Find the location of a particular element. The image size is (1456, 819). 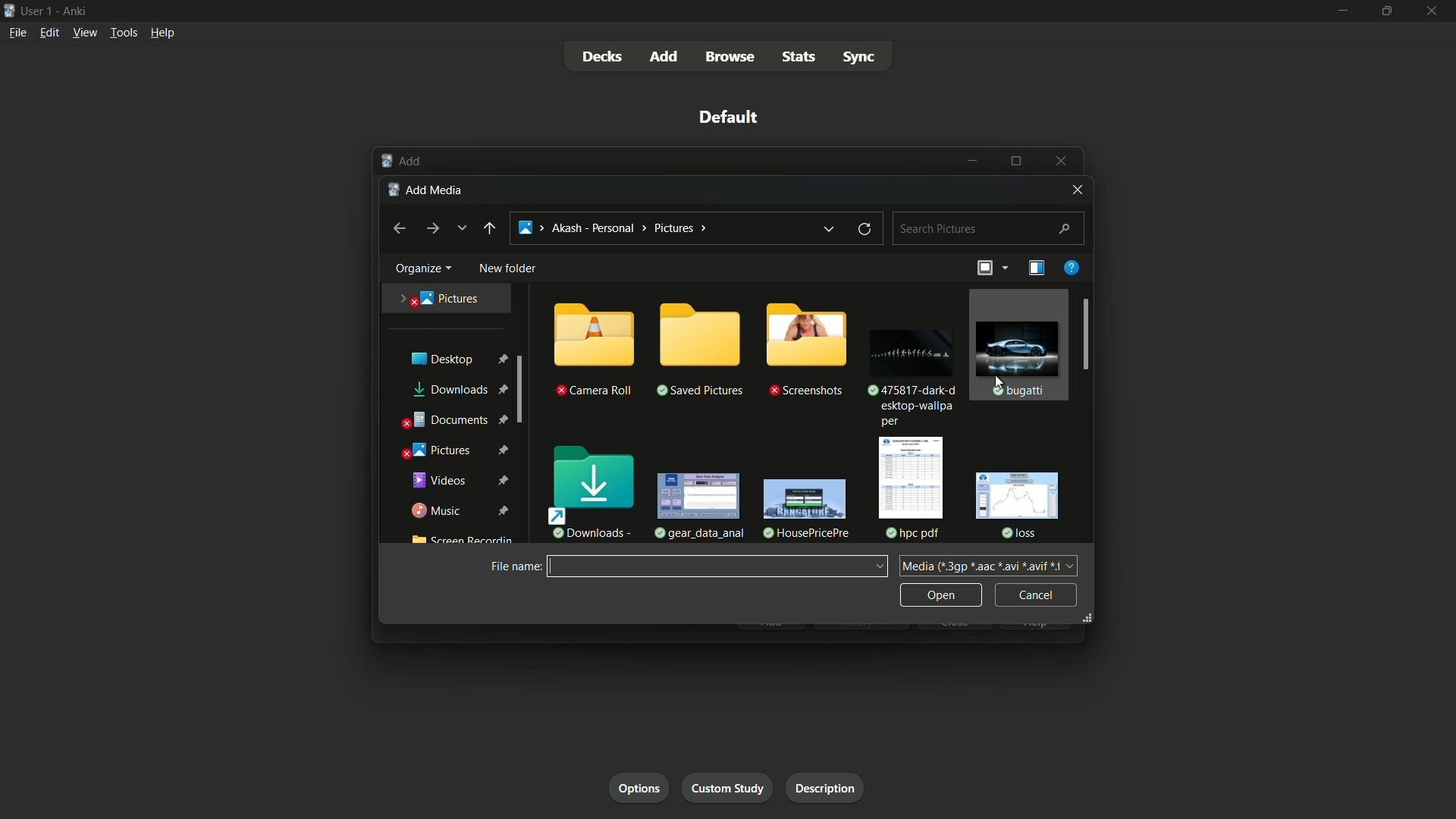

downloads is located at coordinates (593, 489).